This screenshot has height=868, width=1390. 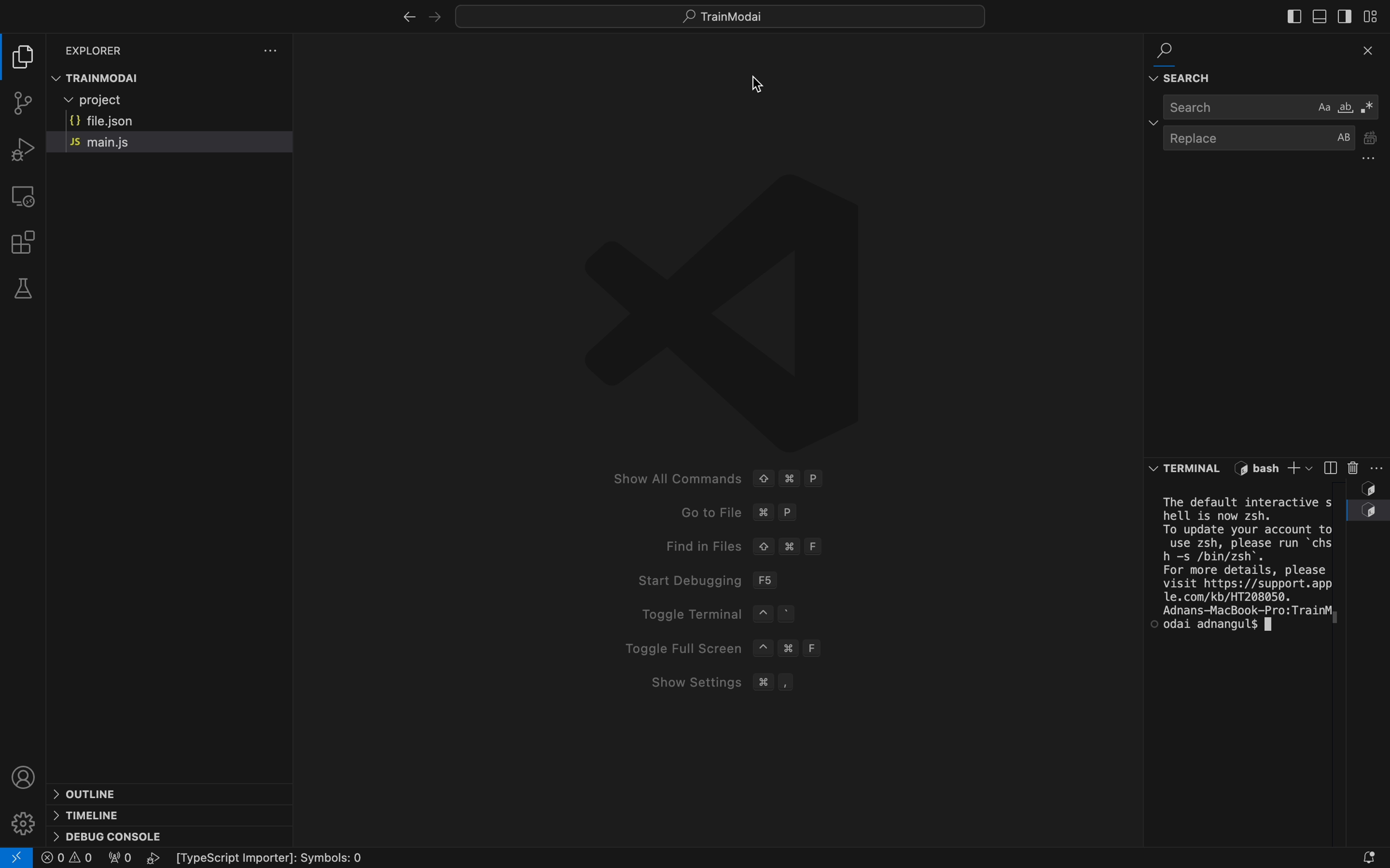 I want to click on delete, so click(x=1352, y=468).